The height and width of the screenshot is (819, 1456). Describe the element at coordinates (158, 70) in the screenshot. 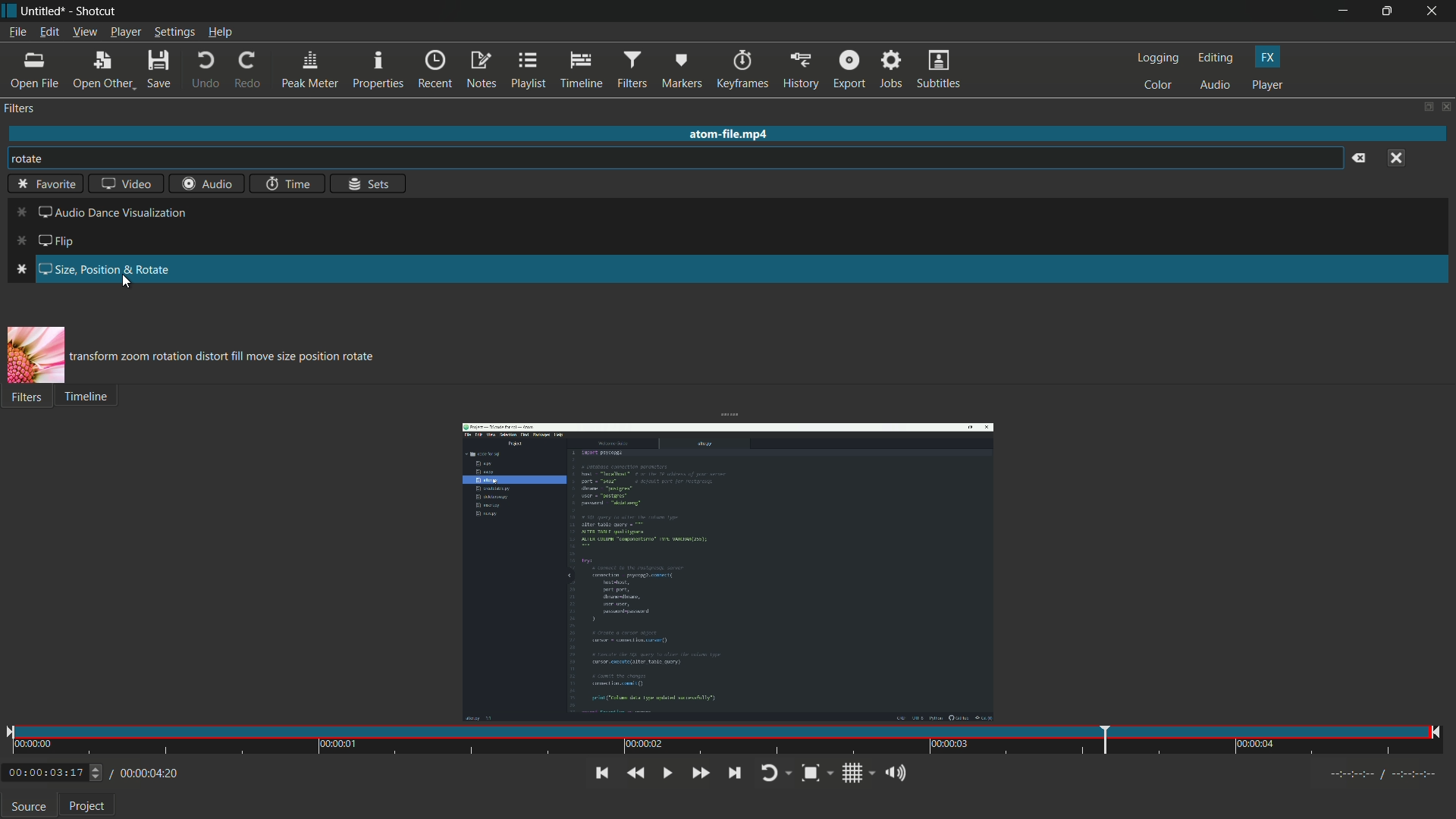

I see `save` at that location.